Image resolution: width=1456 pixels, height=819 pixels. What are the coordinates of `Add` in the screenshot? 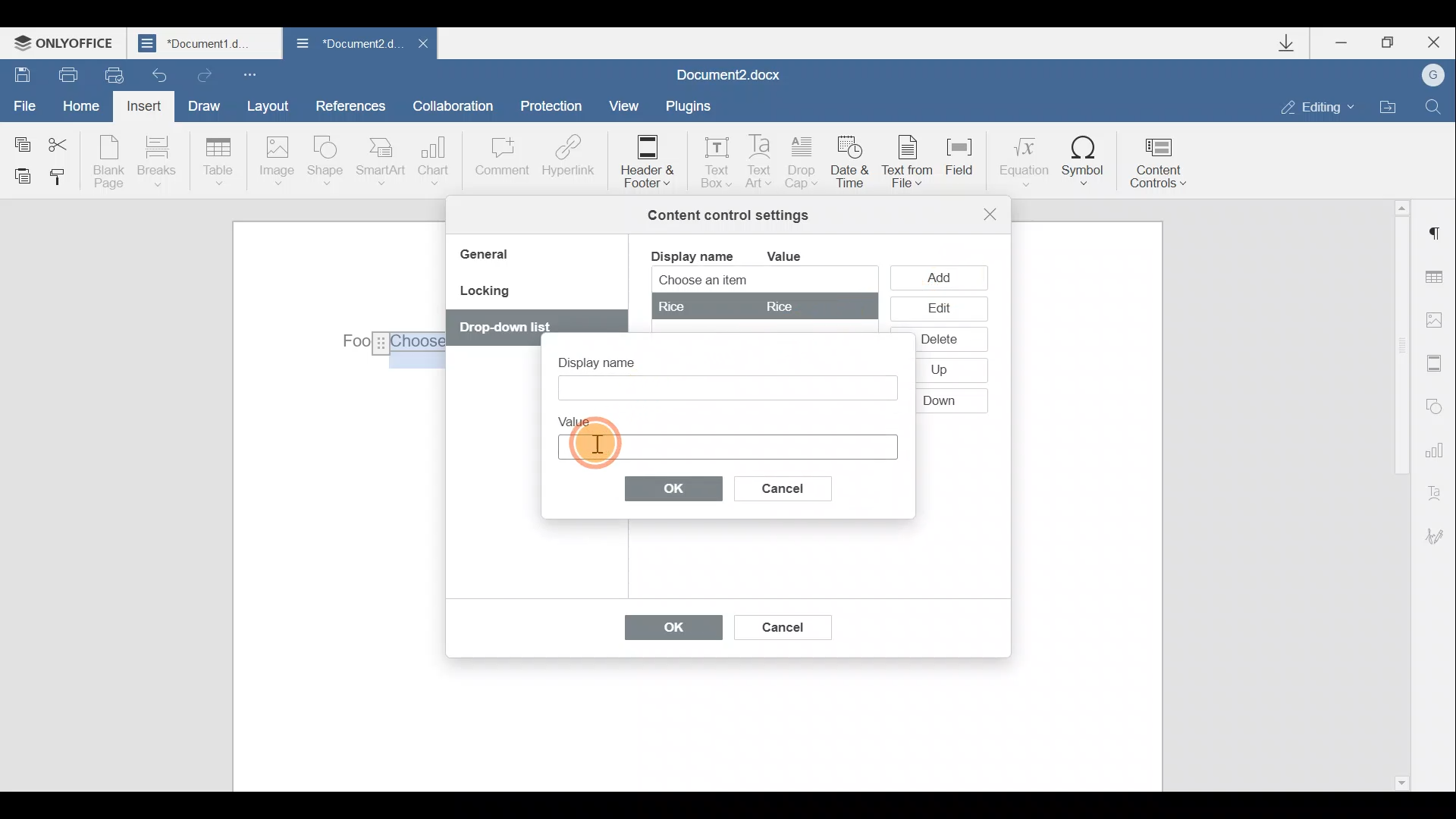 It's located at (943, 277).